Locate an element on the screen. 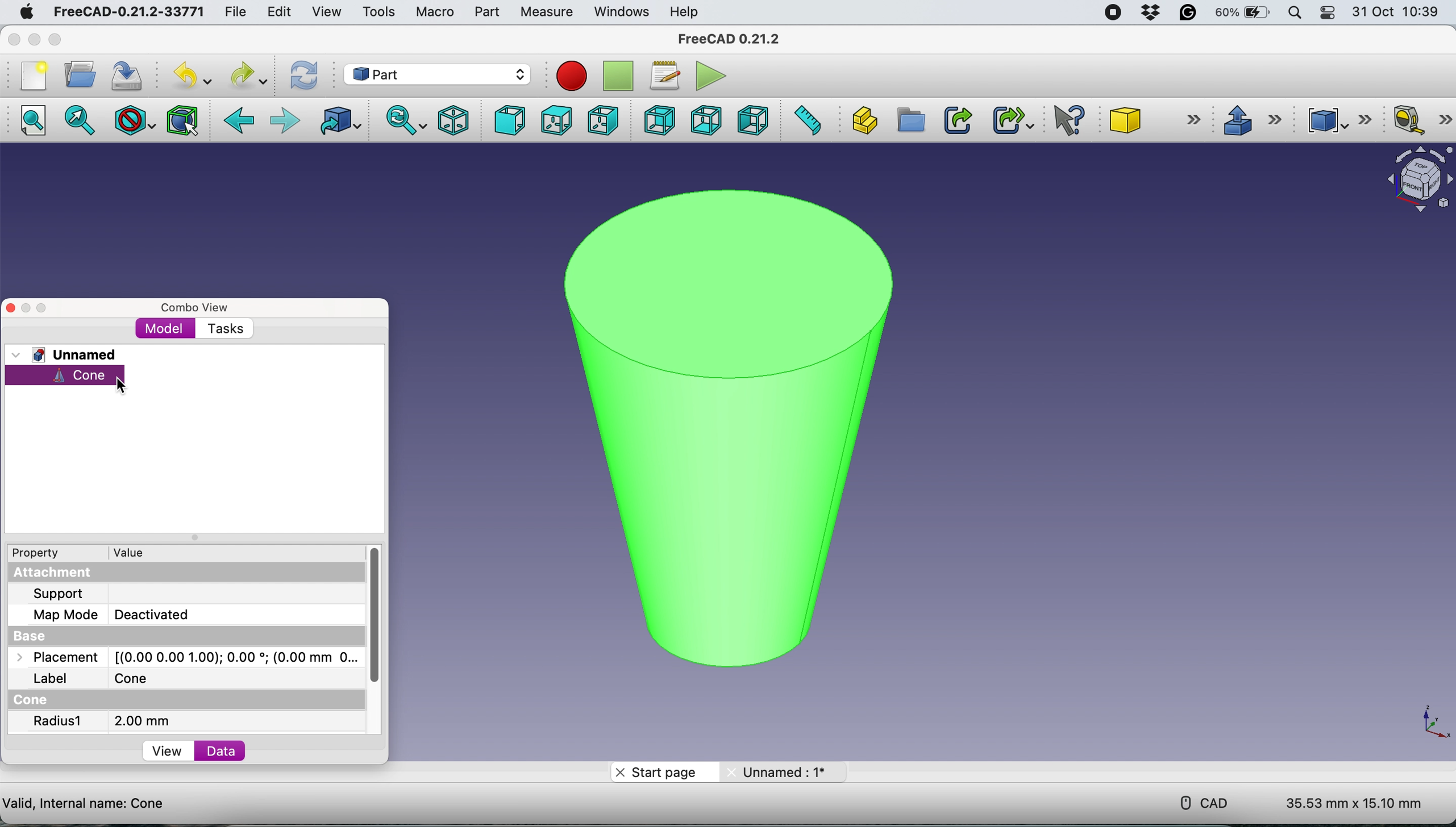 The image size is (1456, 827). minimise is located at coordinates (34, 39).